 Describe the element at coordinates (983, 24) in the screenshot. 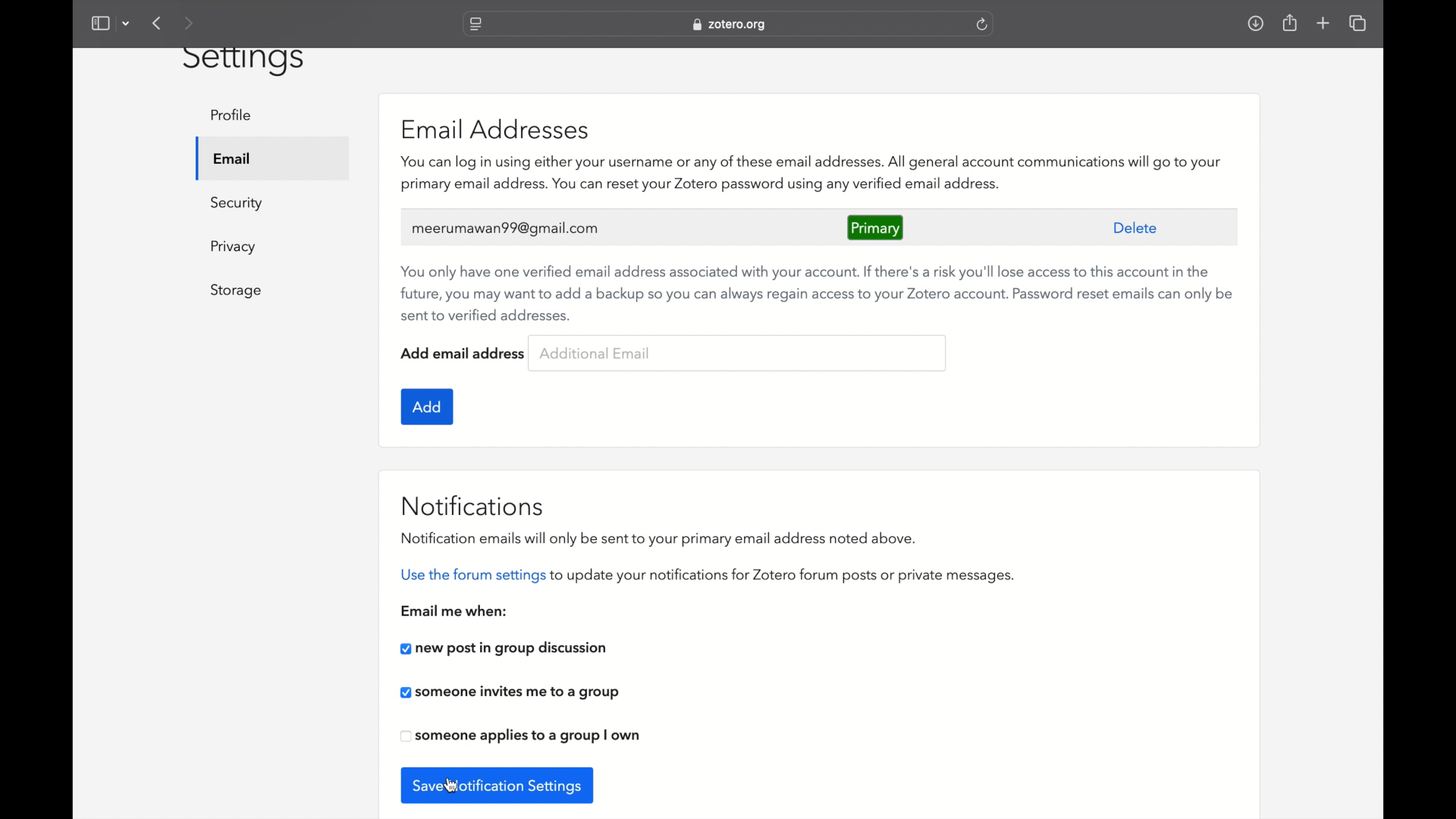

I see `refresh` at that location.